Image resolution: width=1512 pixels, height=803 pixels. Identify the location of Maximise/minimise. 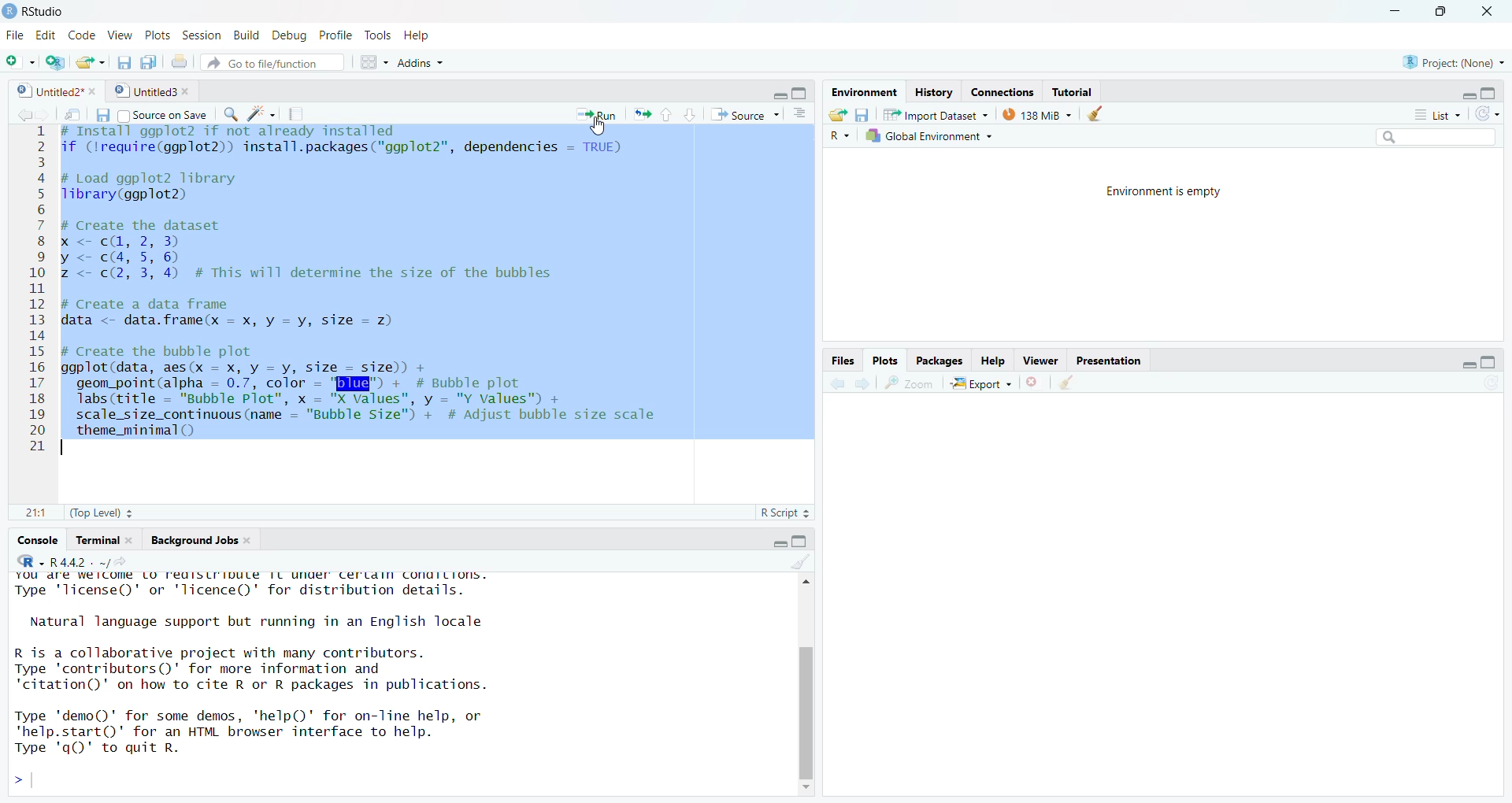
(779, 540).